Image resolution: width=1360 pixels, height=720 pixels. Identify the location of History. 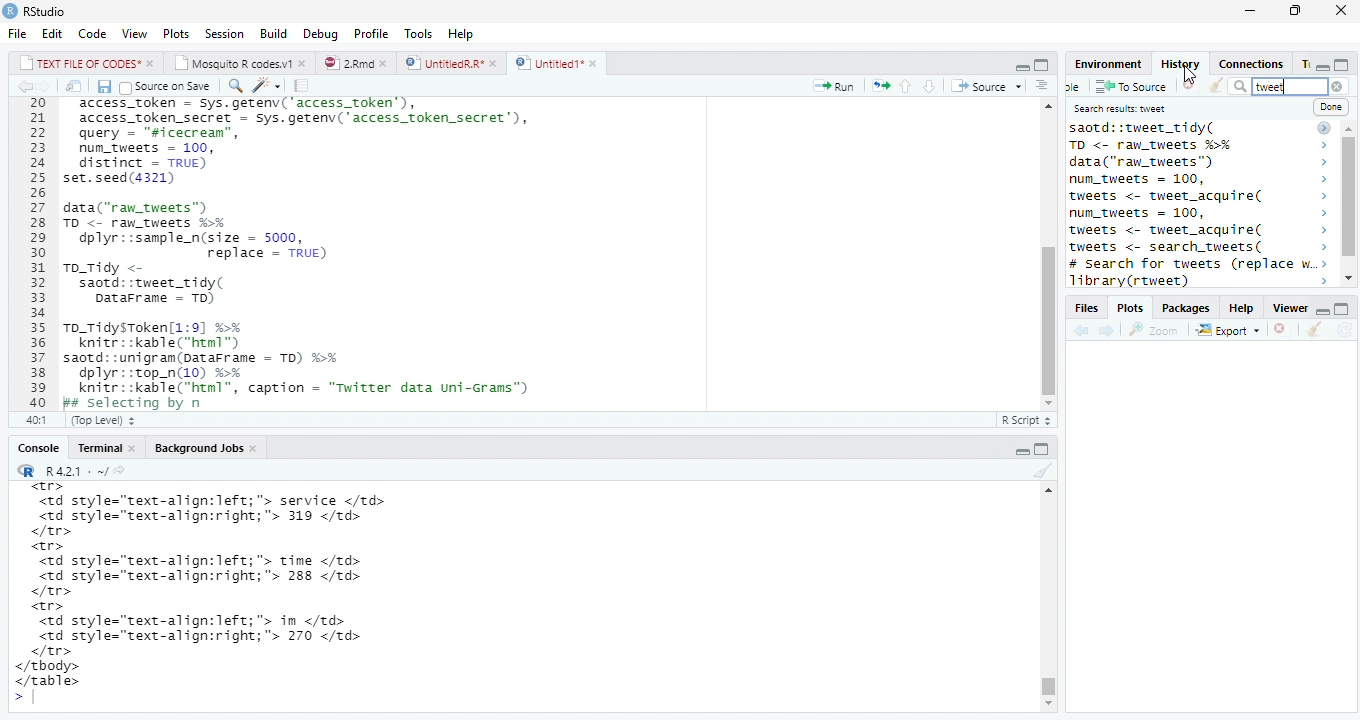
(1179, 62).